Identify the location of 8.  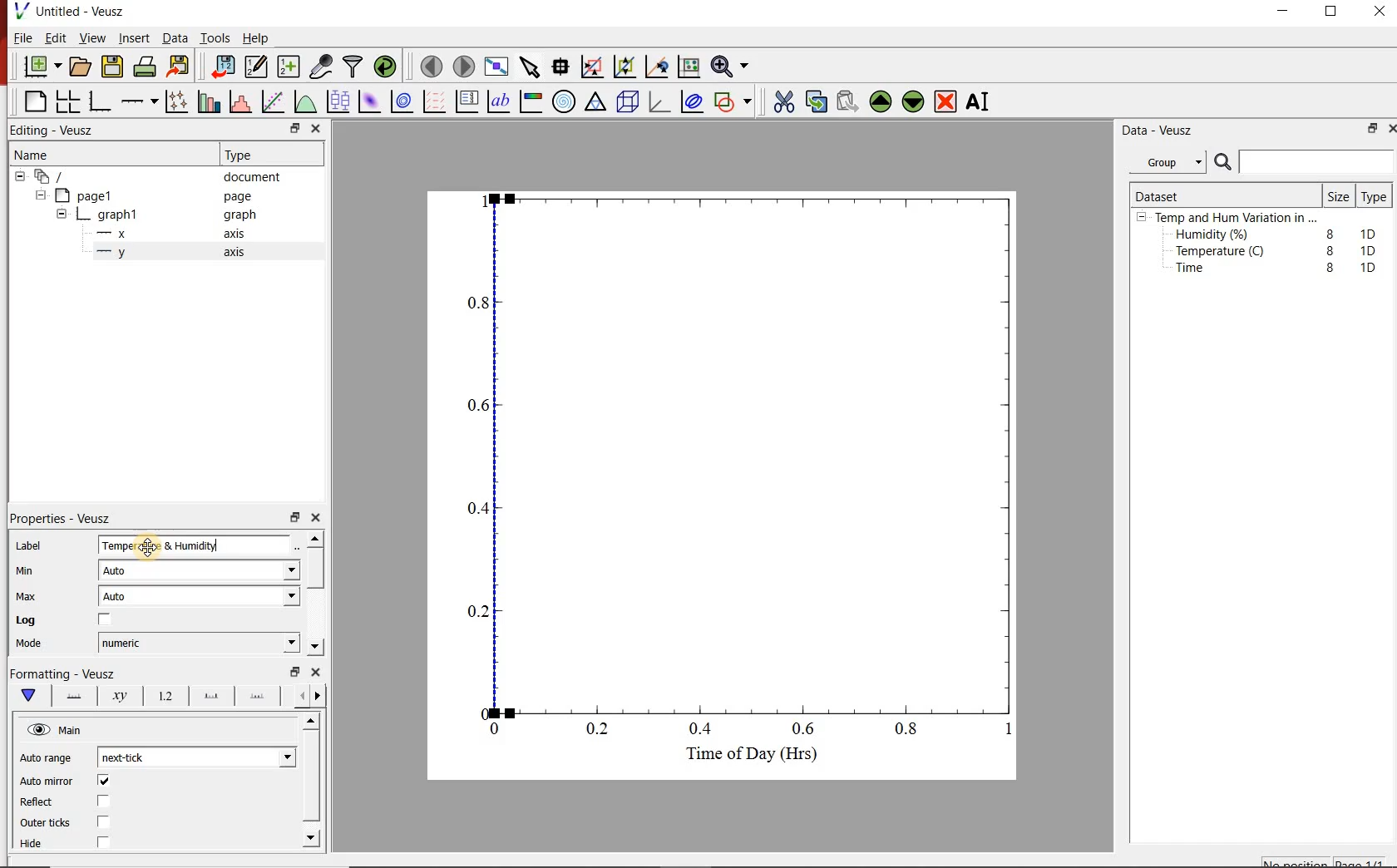
(1330, 268).